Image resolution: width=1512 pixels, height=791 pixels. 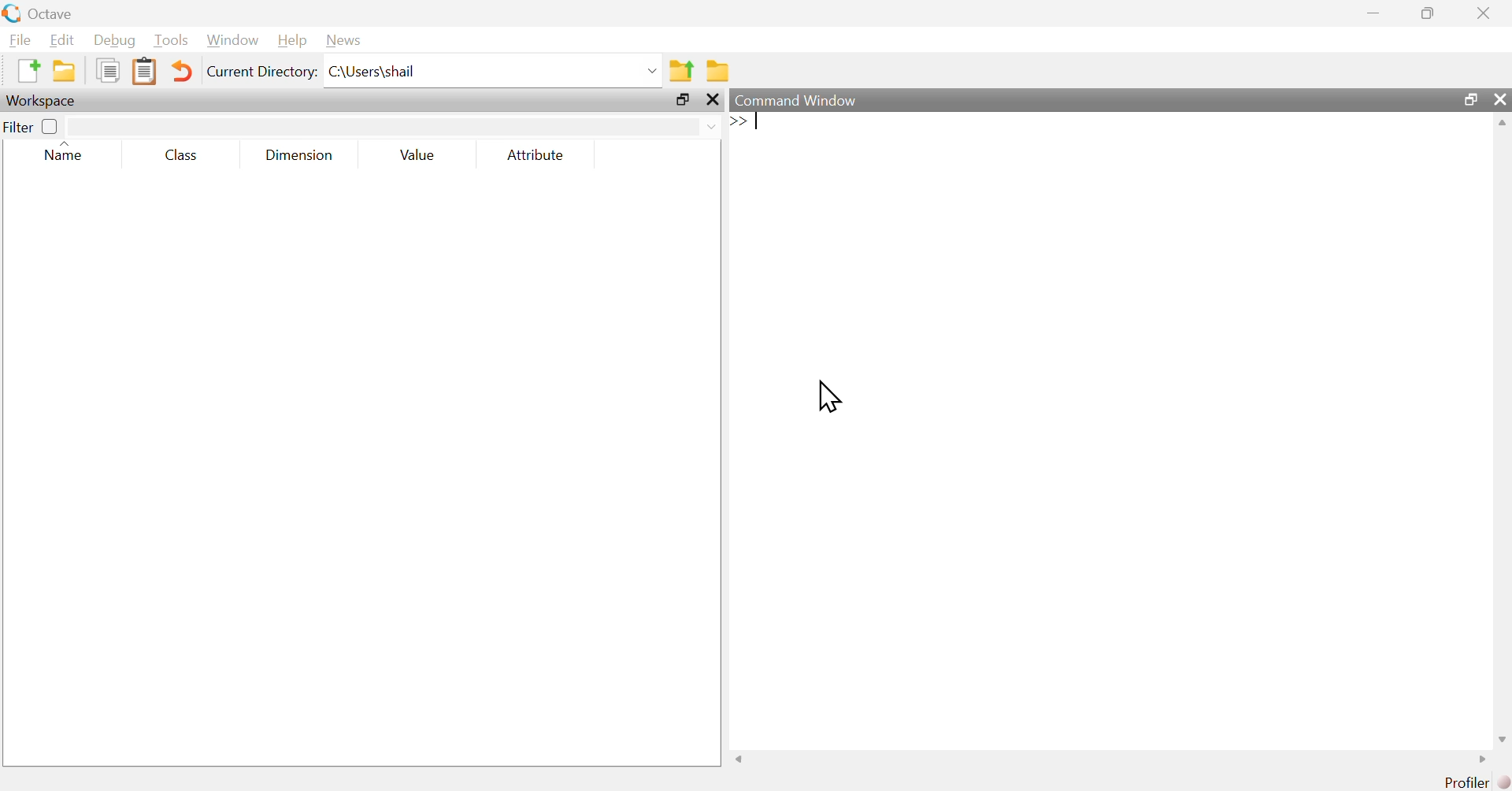 What do you see at coordinates (713, 101) in the screenshot?
I see `close` at bounding box center [713, 101].